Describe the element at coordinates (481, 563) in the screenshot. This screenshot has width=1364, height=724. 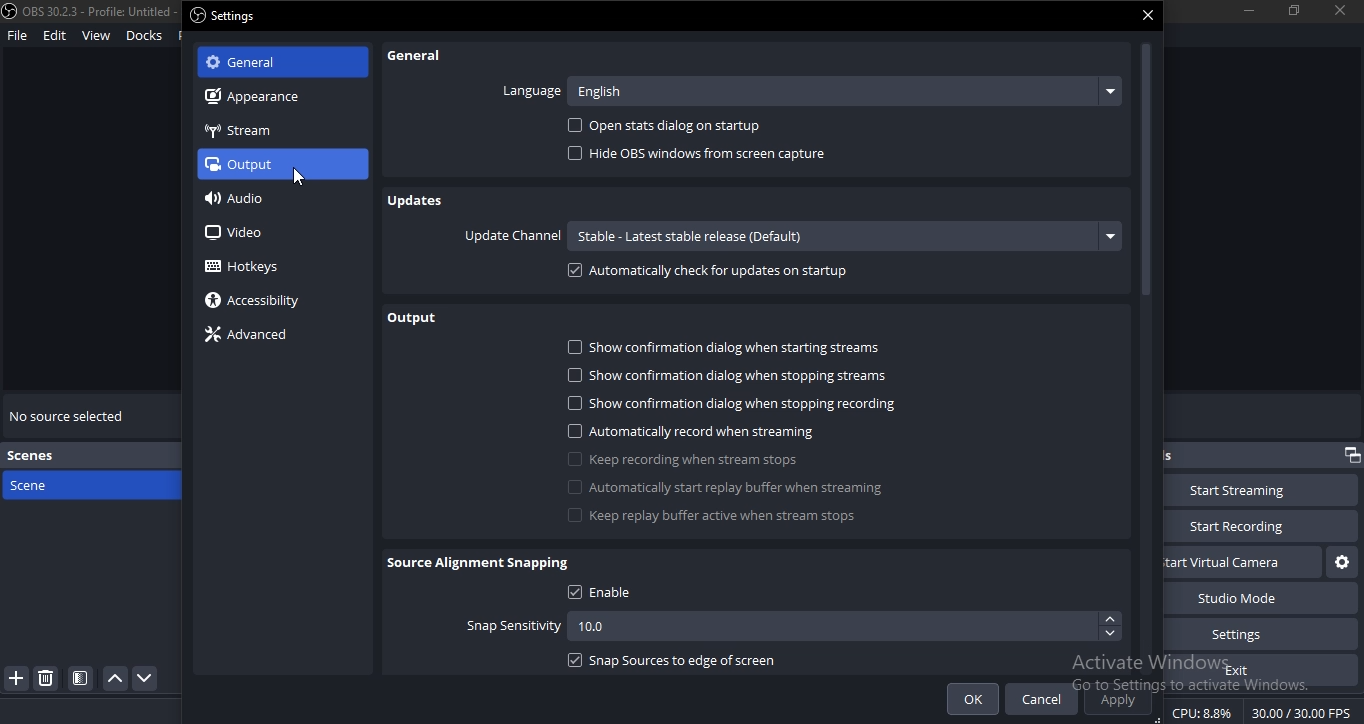
I see `source alignment snapping` at that location.